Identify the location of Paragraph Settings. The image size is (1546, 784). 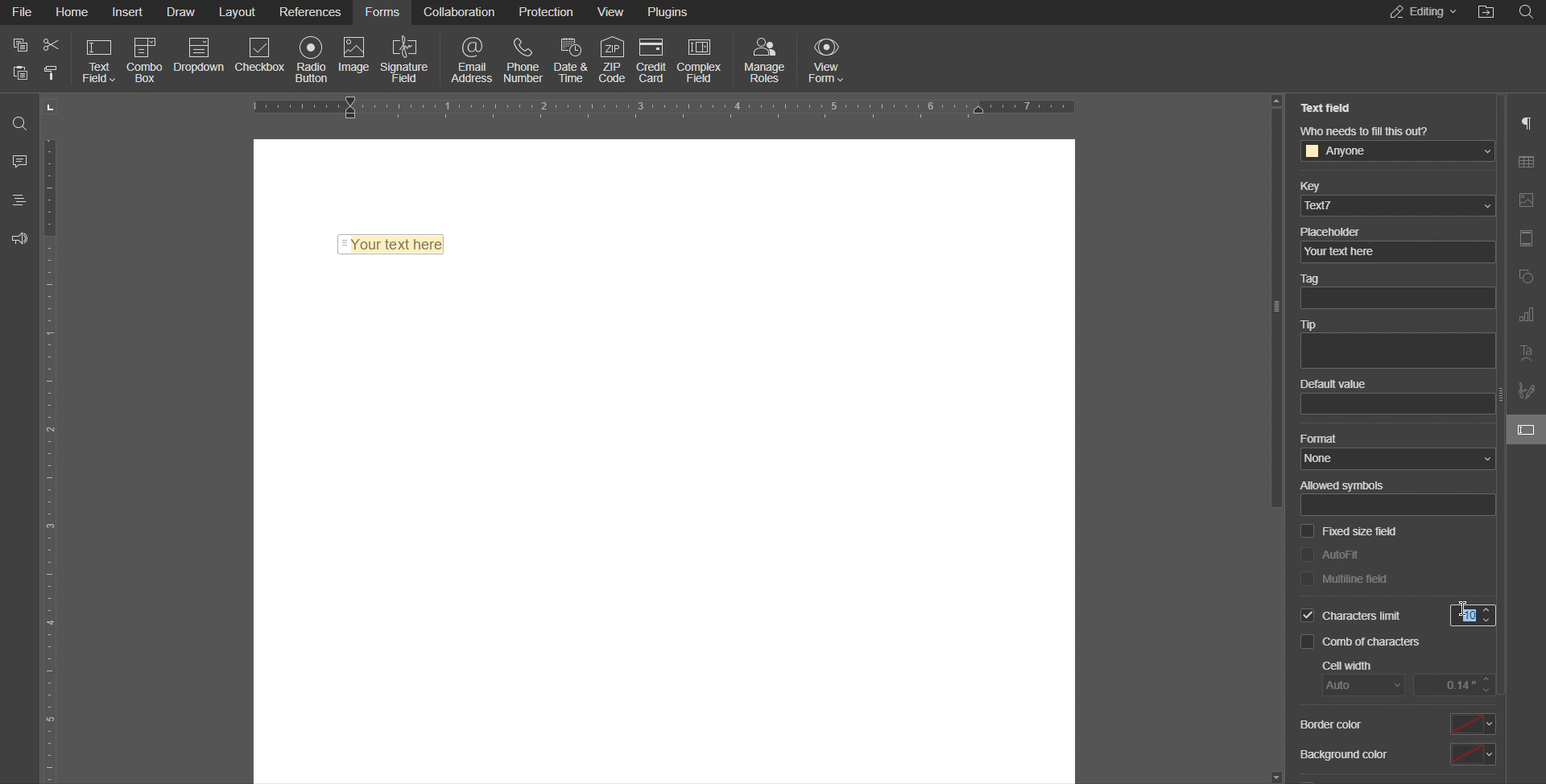
(1527, 122).